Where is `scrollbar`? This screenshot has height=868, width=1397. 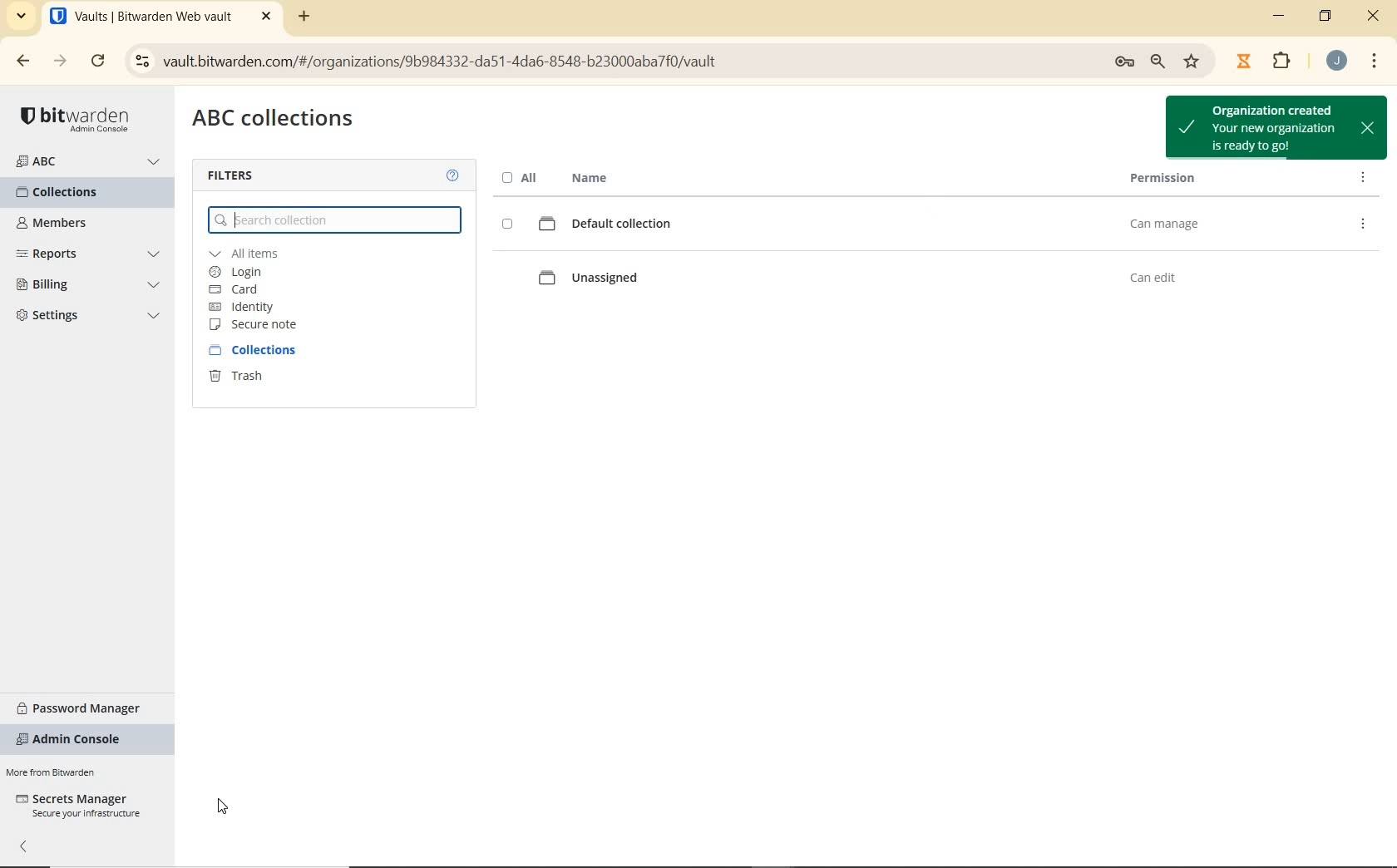
scrollbar is located at coordinates (1389, 475).